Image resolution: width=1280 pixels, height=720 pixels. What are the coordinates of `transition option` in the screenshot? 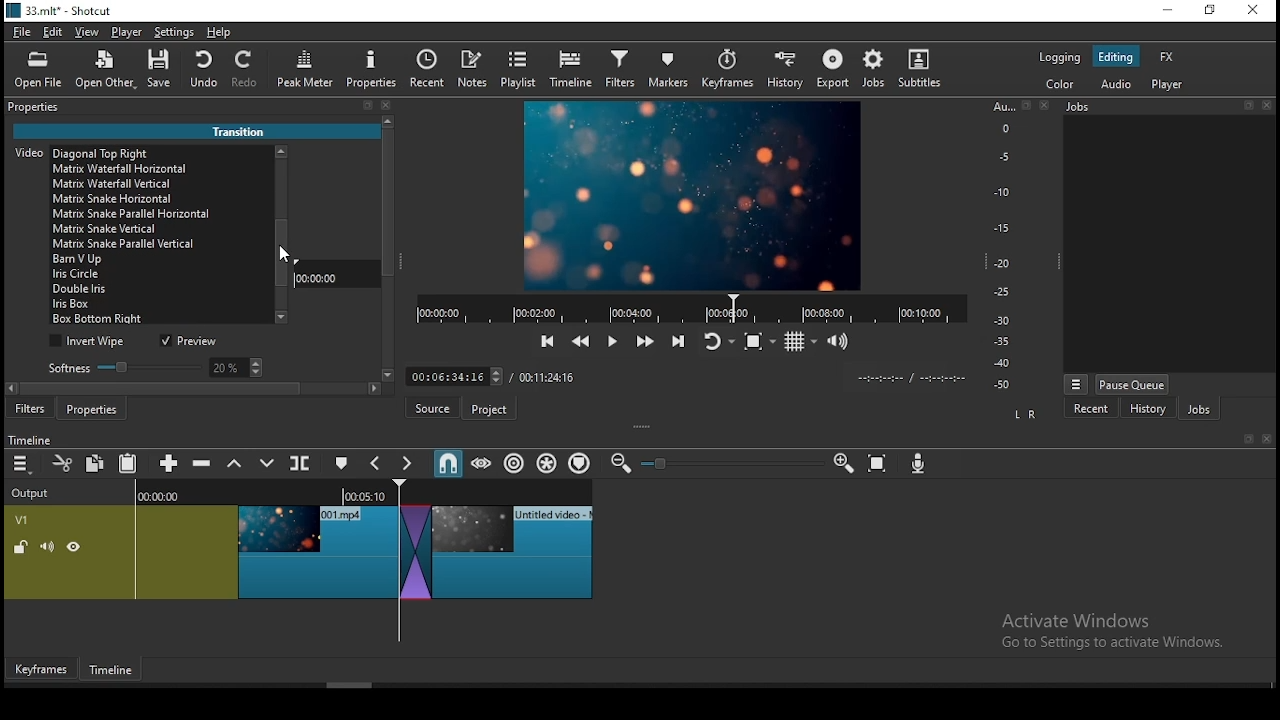 It's located at (162, 243).